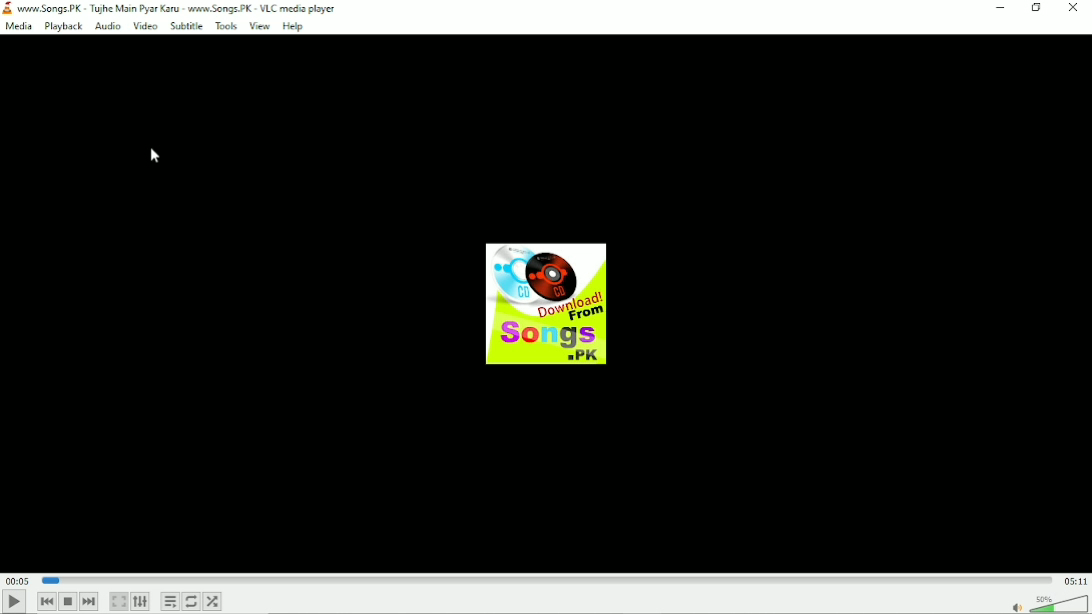 The height and width of the screenshot is (614, 1092). Describe the element at coordinates (1075, 8) in the screenshot. I see `Close` at that location.